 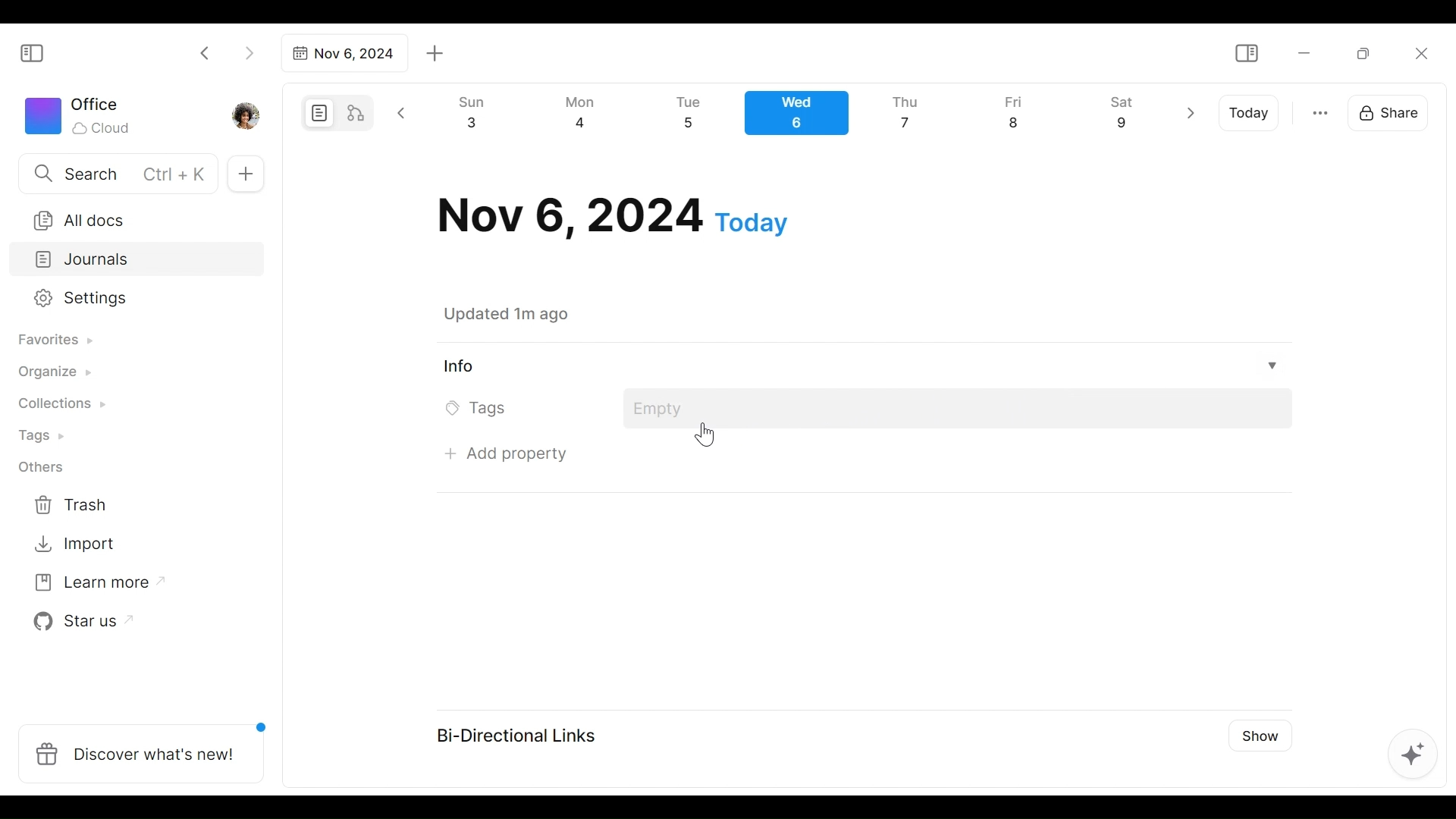 What do you see at coordinates (116, 173) in the screenshot?
I see `Search` at bounding box center [116, 173].